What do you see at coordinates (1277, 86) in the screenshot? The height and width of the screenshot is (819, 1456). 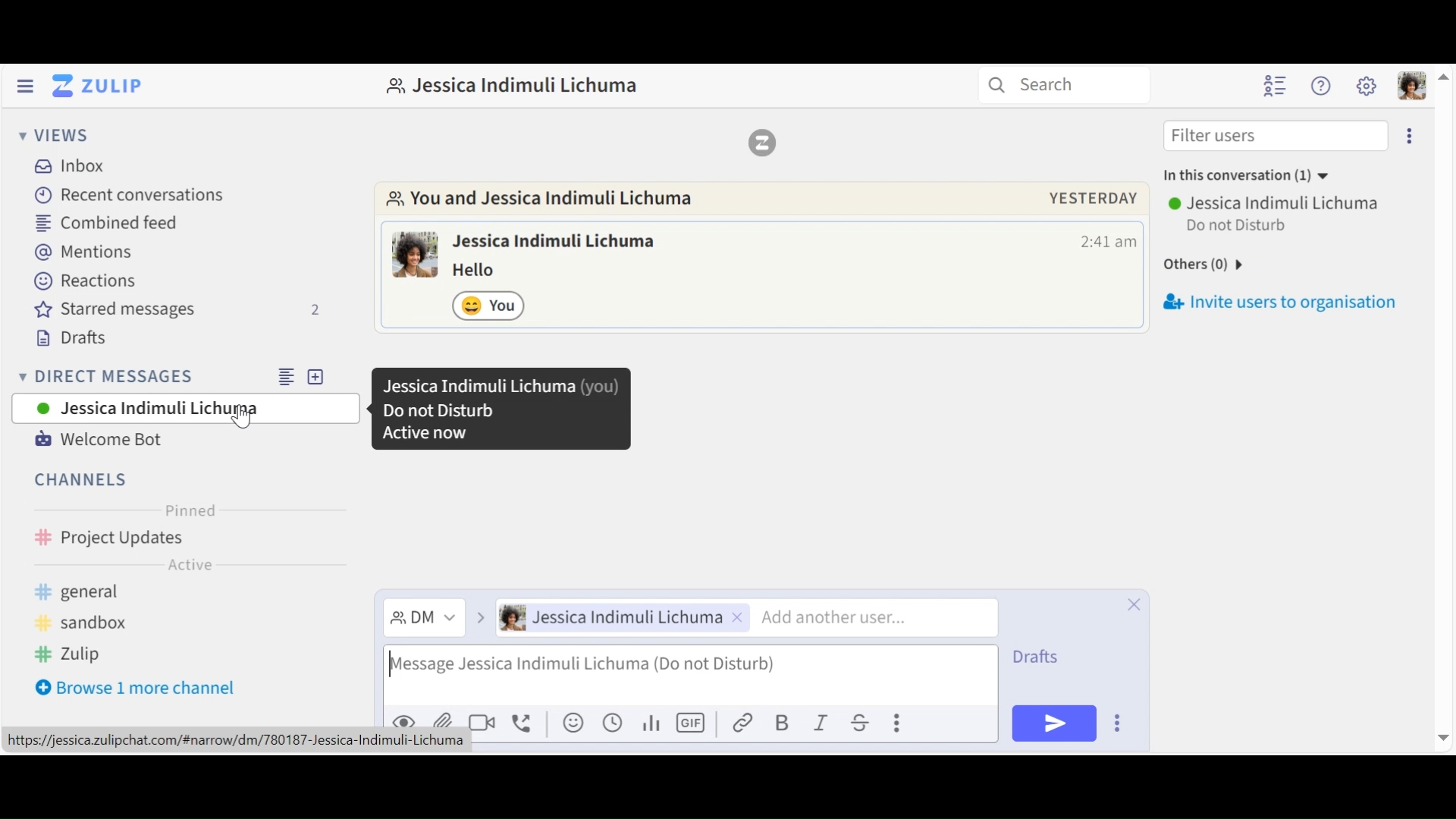 I see `Hide user list` at bounding box center [1277, 86].